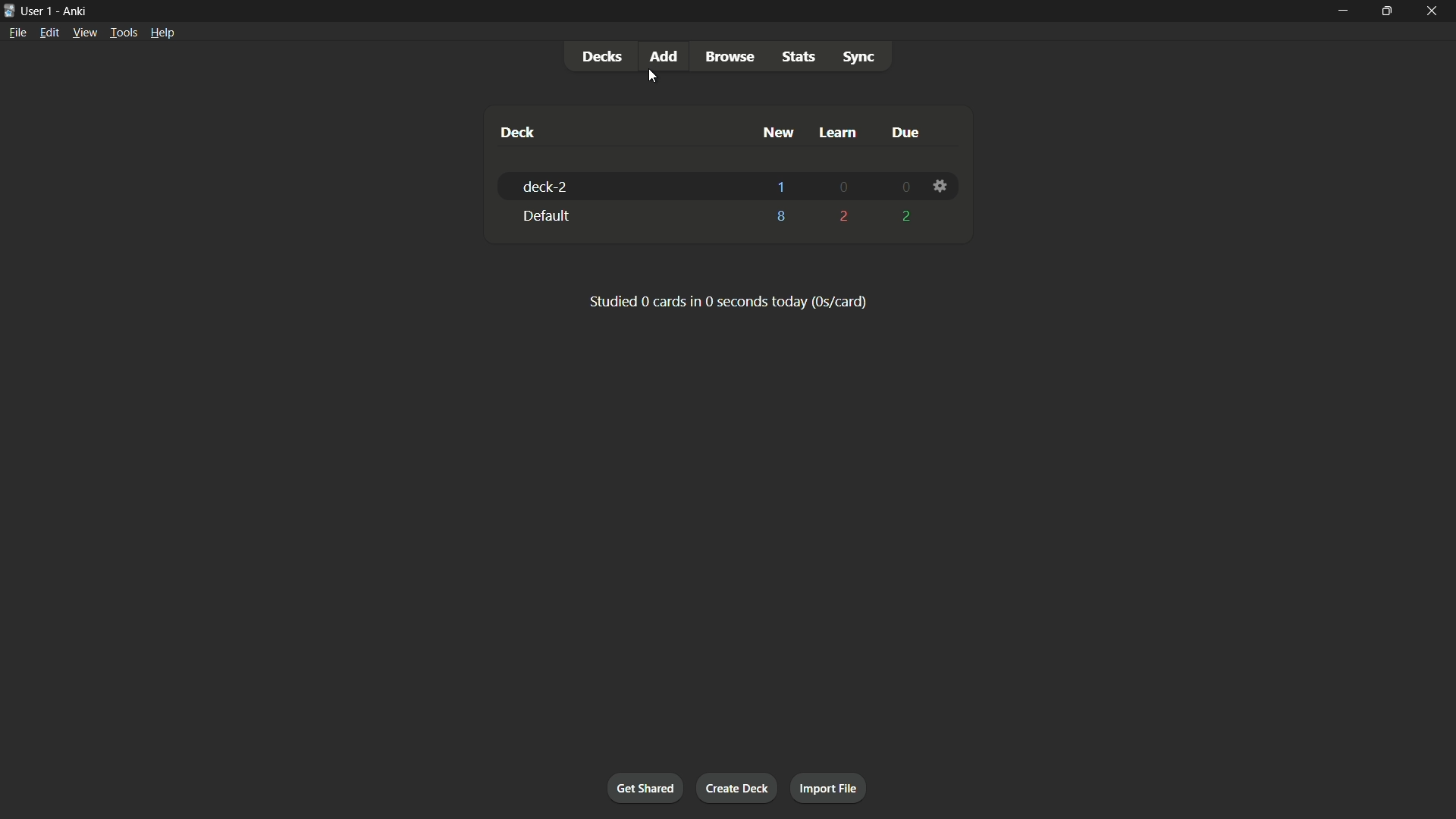 This screenshot has width=1456, height=819. I want to click on app icon, so click(8, 11).